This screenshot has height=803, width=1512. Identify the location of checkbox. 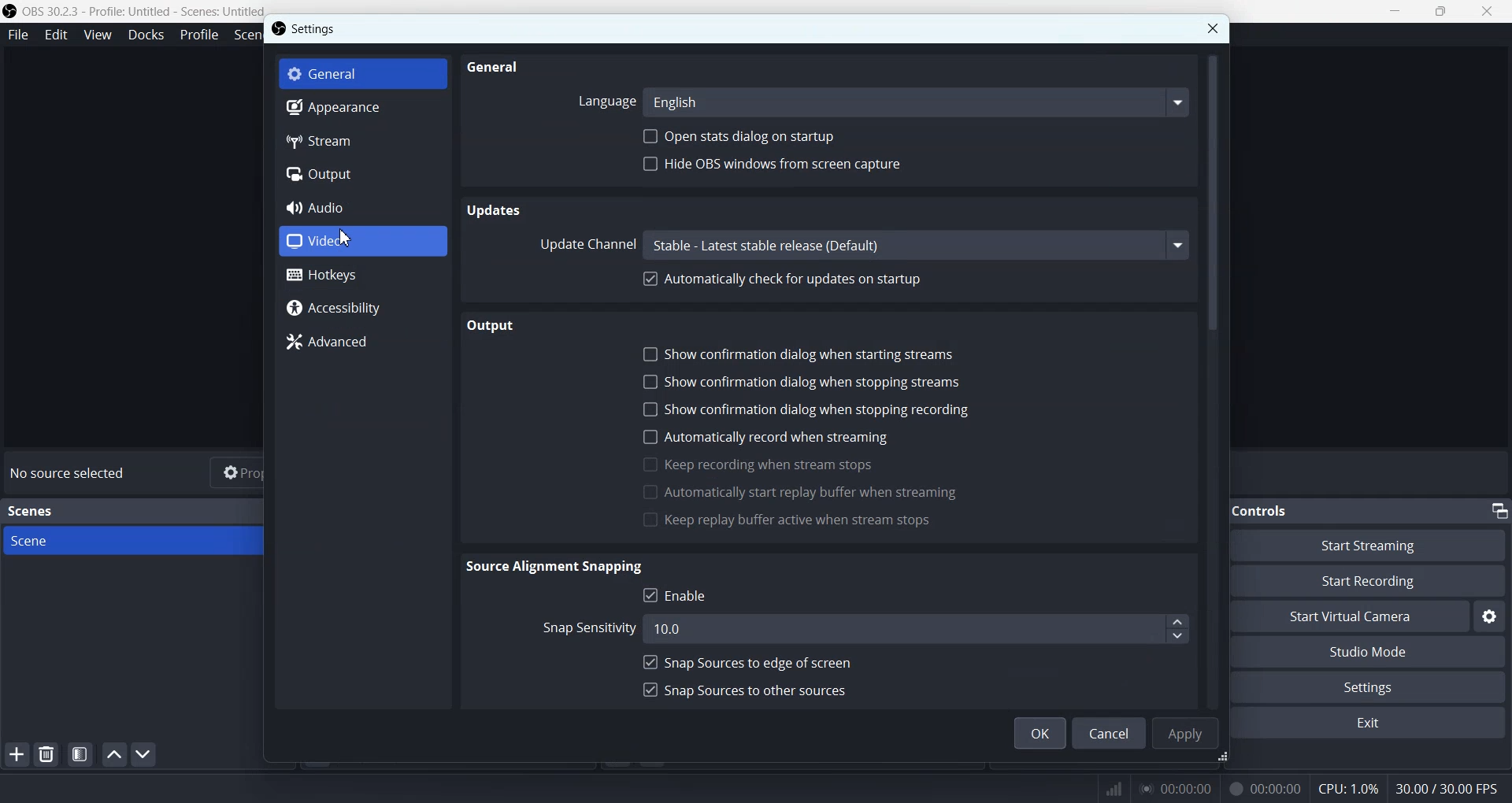
(647, 595).